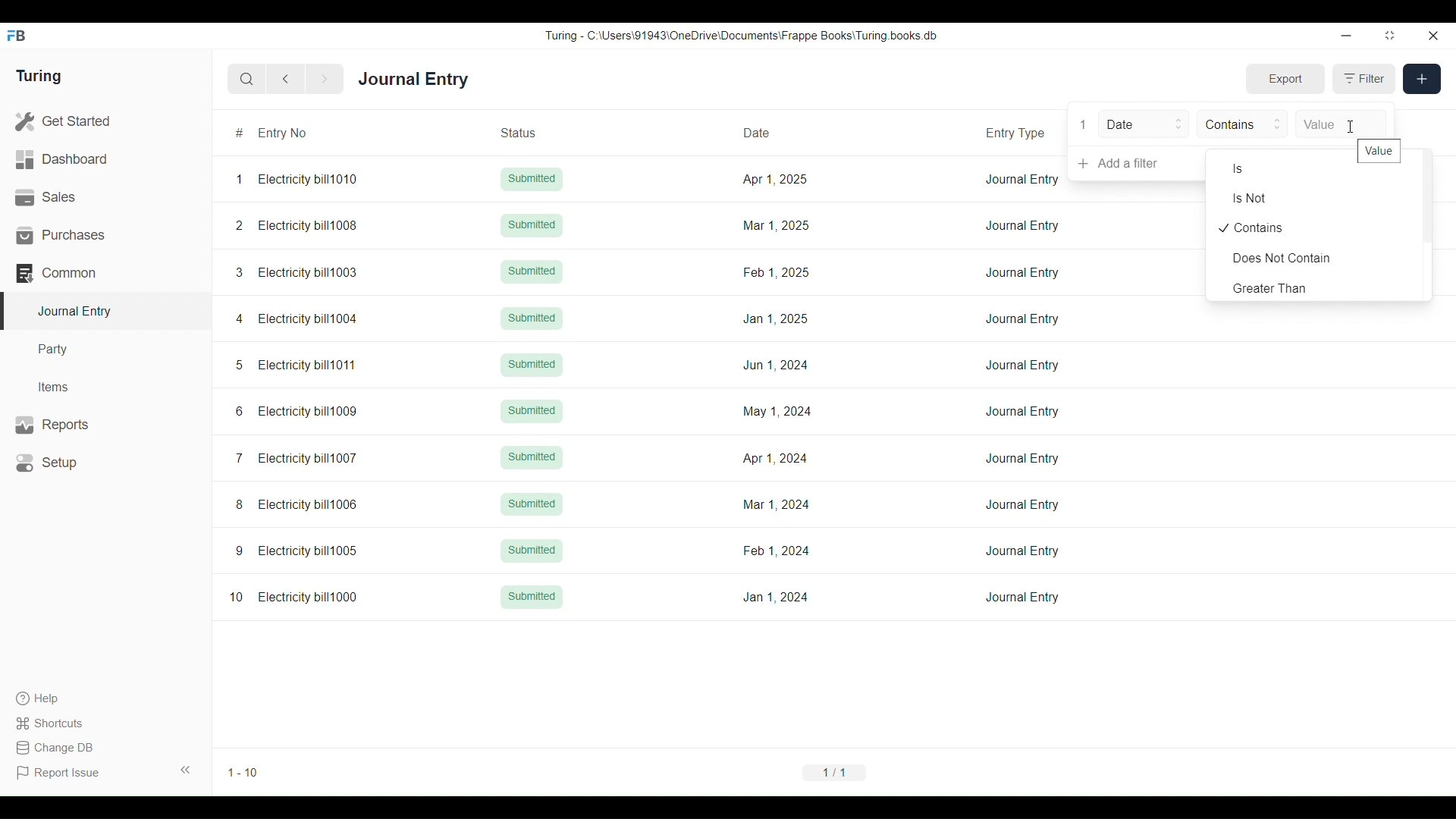  Describe the element at coordinates (531, 318) in the screenshot. I see `Submitted` at that location.